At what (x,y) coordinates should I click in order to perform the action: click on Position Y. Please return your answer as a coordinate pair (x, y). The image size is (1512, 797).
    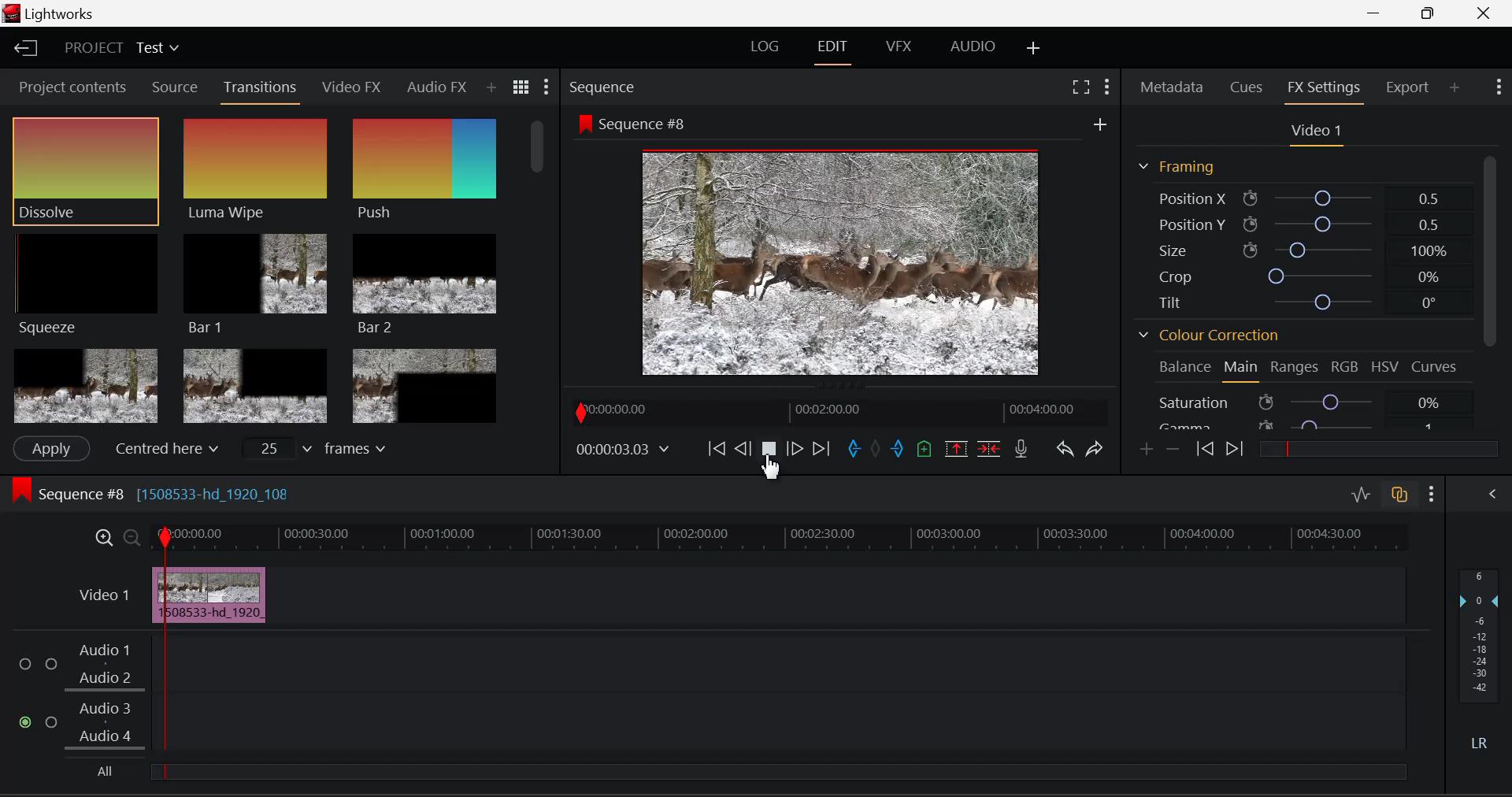
    Looking at the image, I should click on (1295, 221).